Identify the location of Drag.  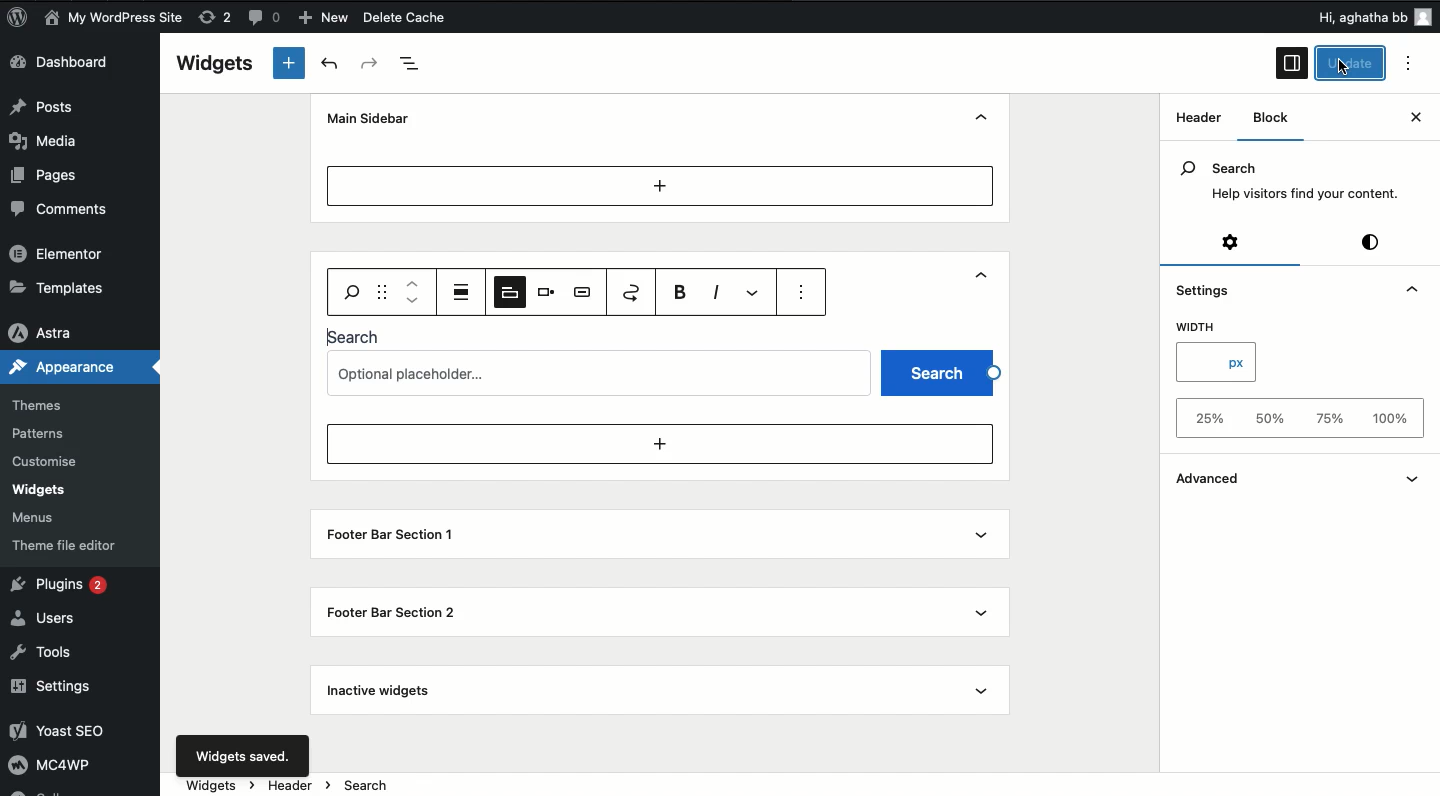
(383, 291).